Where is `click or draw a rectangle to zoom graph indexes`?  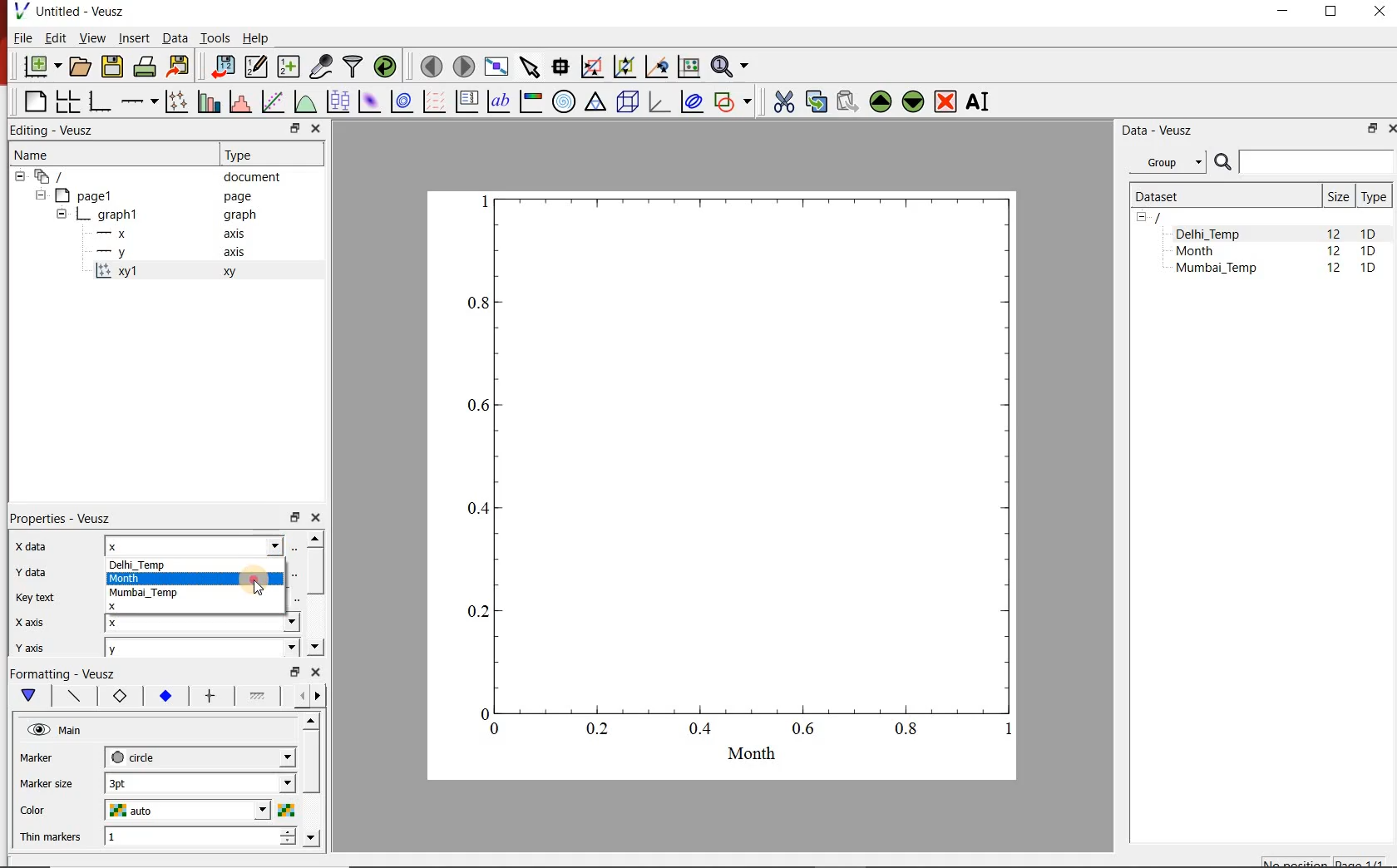
click or draw a rectangle to zoom graph indexes is located at coordinates (592, 67).